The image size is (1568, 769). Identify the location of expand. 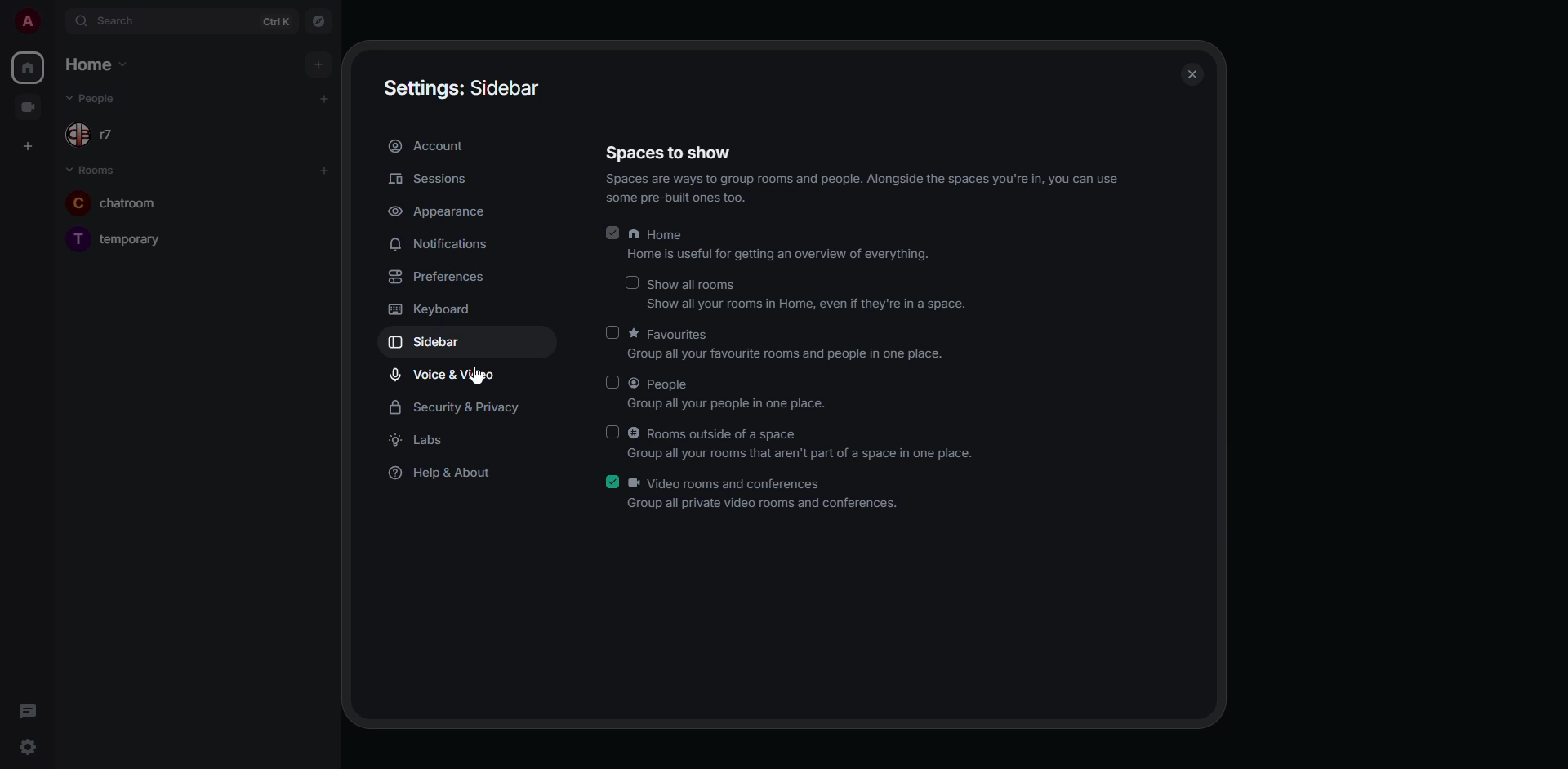
(55, 20).